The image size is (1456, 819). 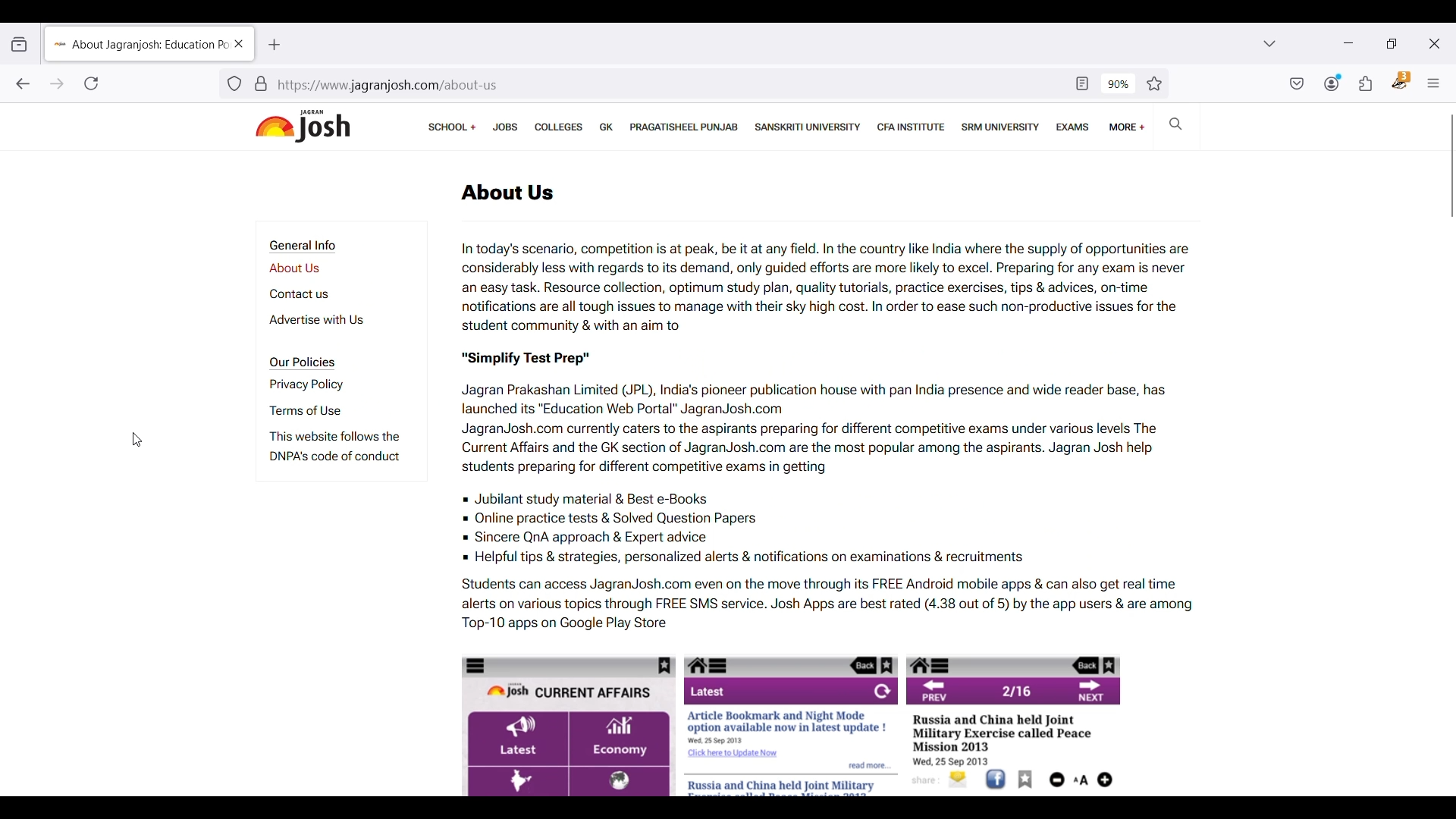 What do you see at coordinates (1082, 84) in the screenshot?
I see `Toggle reader view` at bounding box center [1082, 84].